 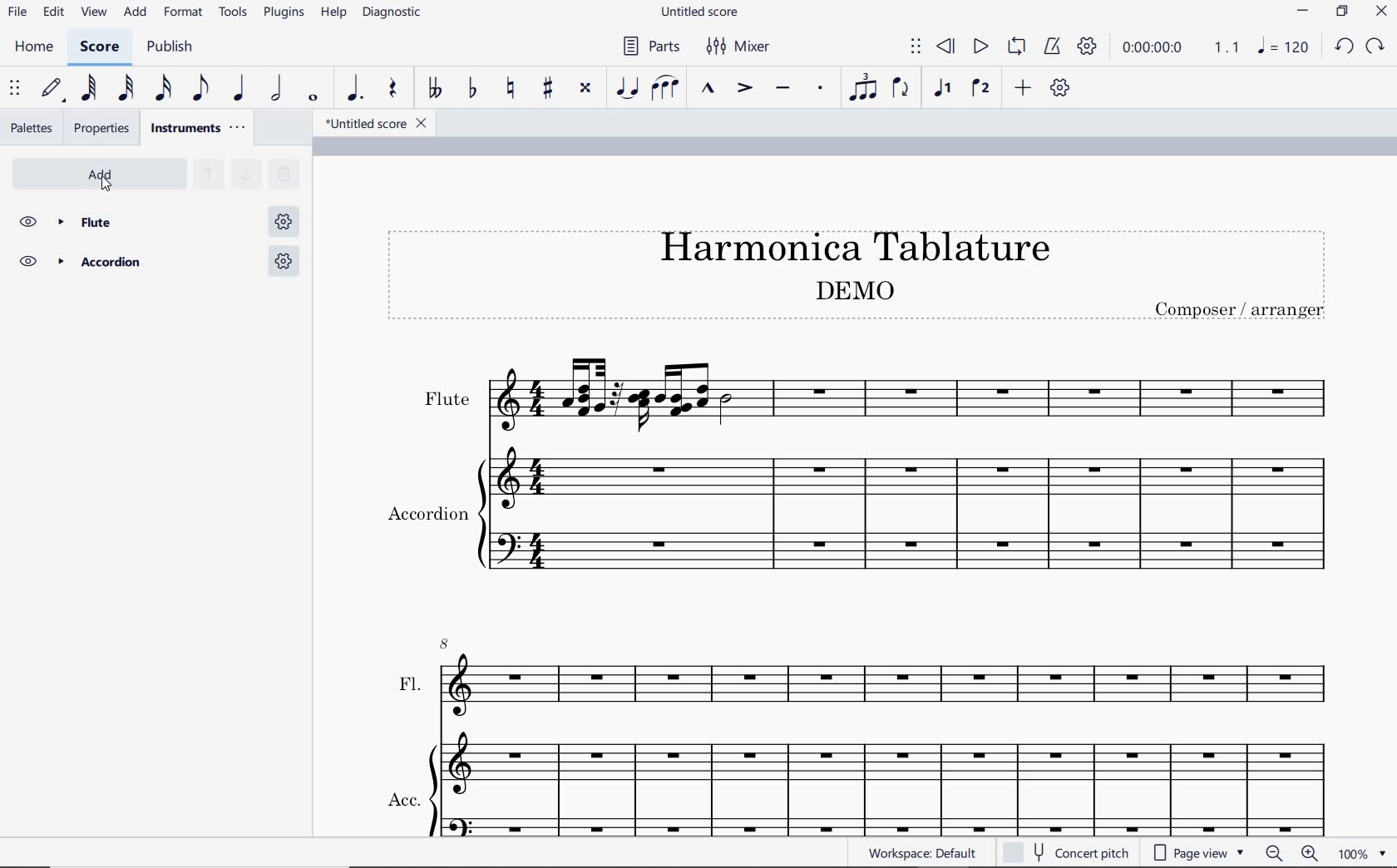 What do you see at coordinates (1341, 12) in the screenshot?
I see `RESTORE DOWN` at bounding box center [1341, 12].